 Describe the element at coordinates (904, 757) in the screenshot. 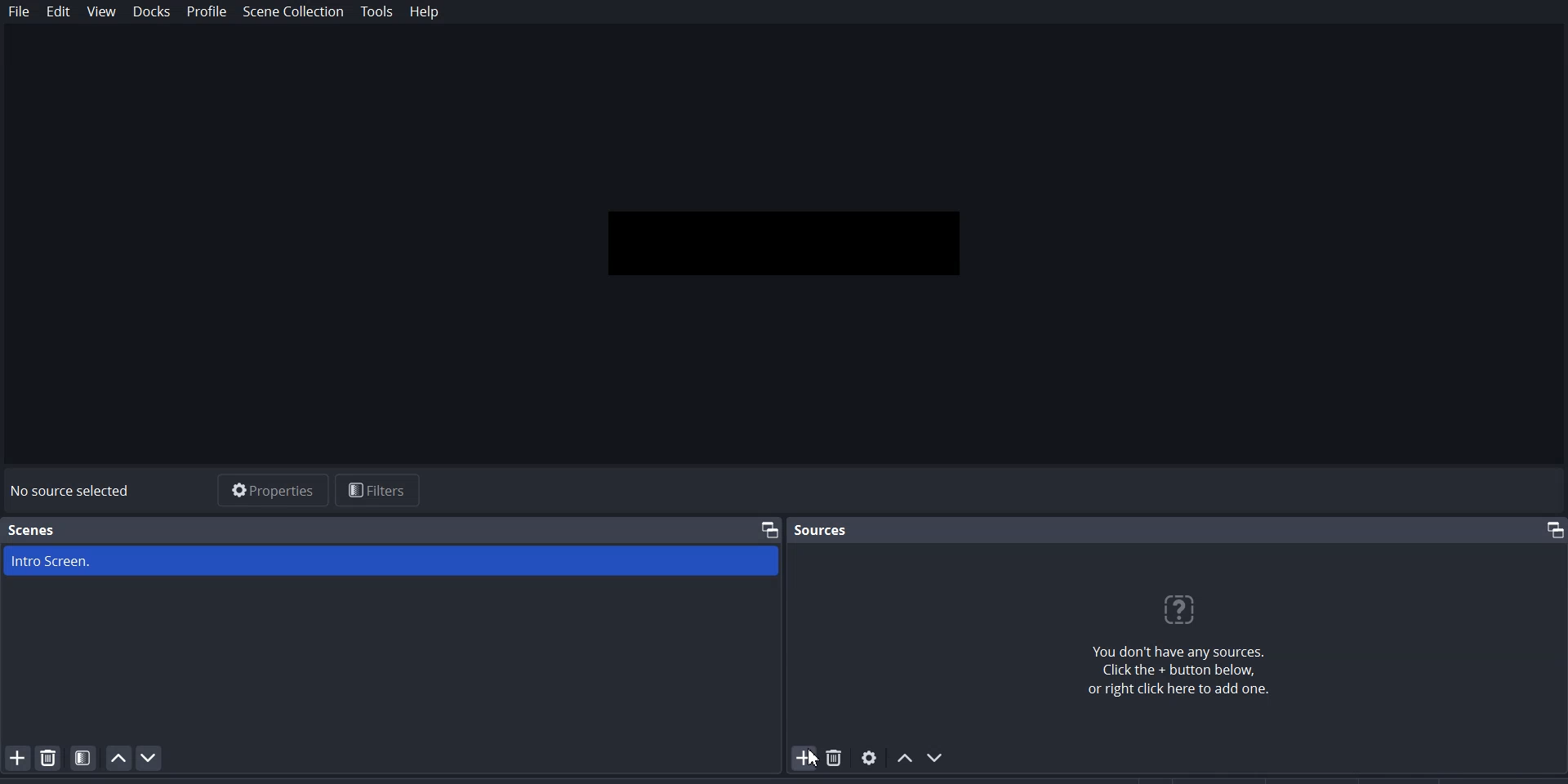

I see `Move Source Up` at that location.